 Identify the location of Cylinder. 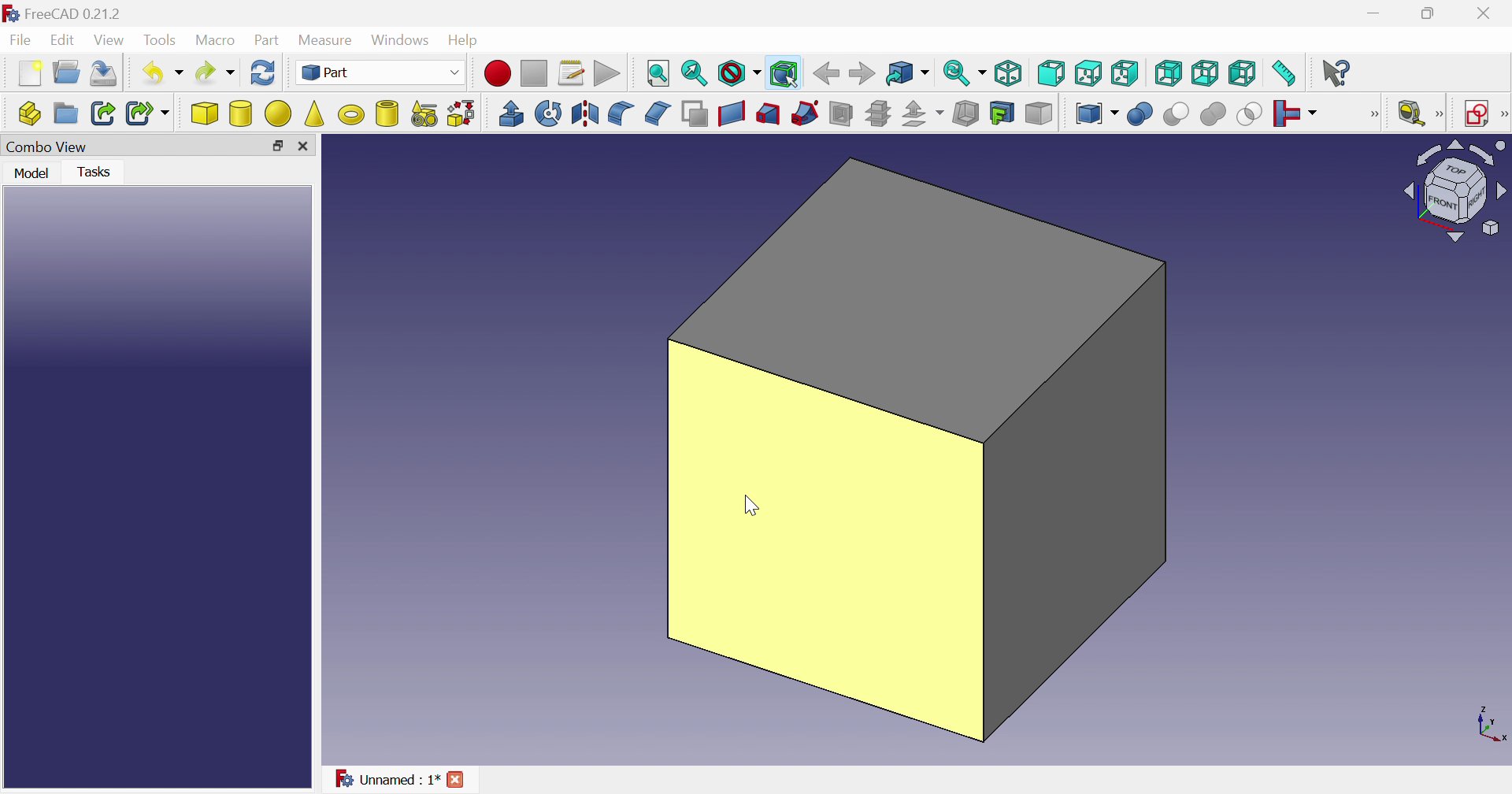
(242, 113).